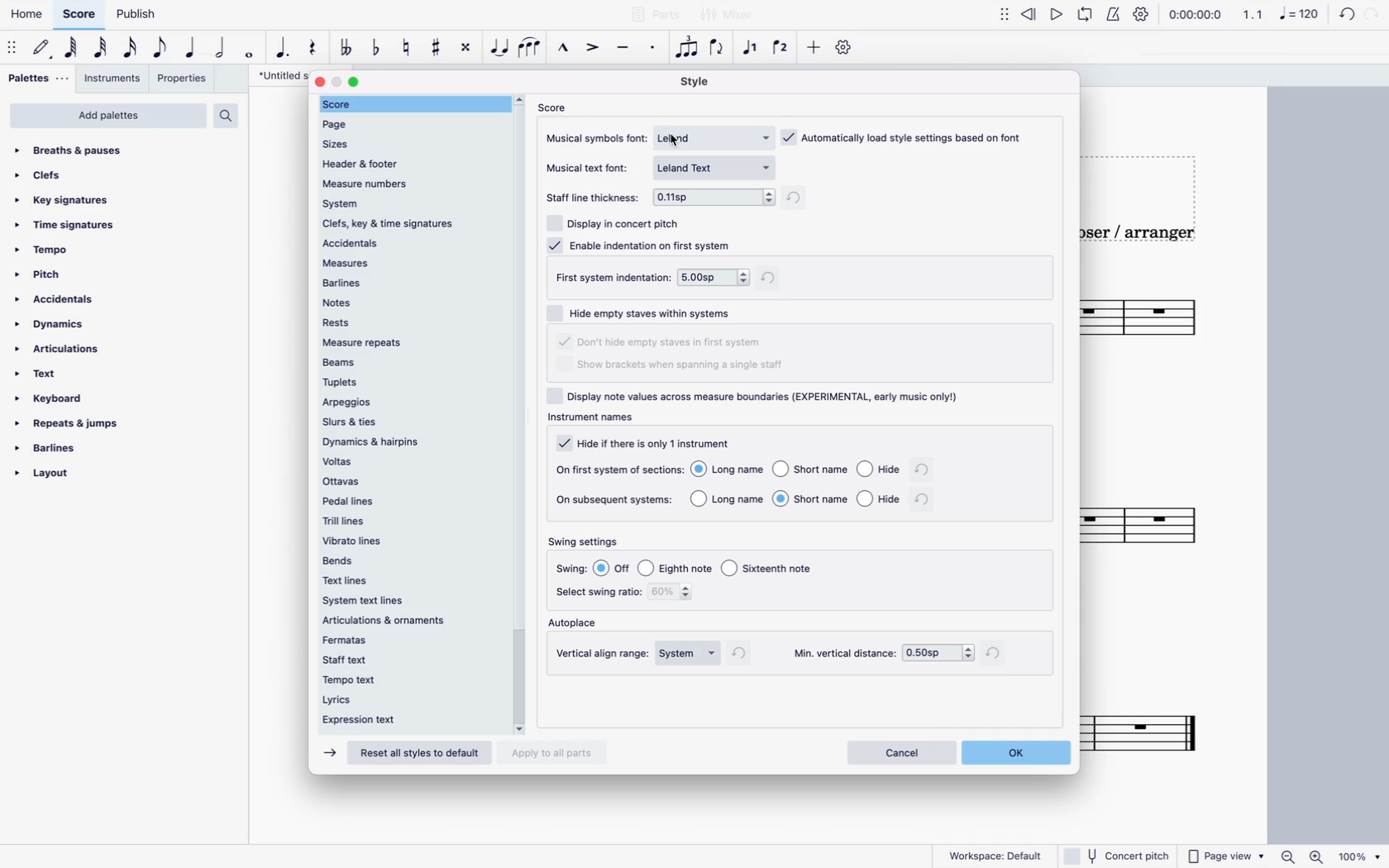  What do you see at coordinates (773, 277) in the screenshot?
I see `refresh` at bounding box center [773, 277].